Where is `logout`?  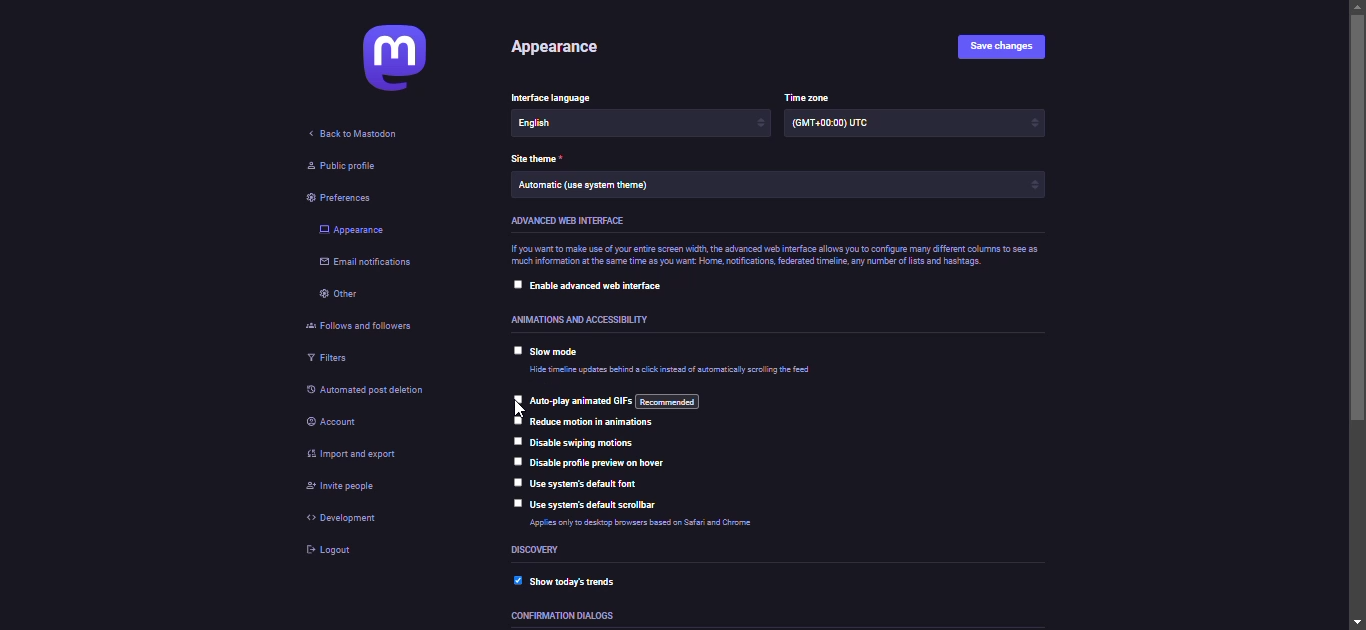
logout is located at coordinates (322, 552).